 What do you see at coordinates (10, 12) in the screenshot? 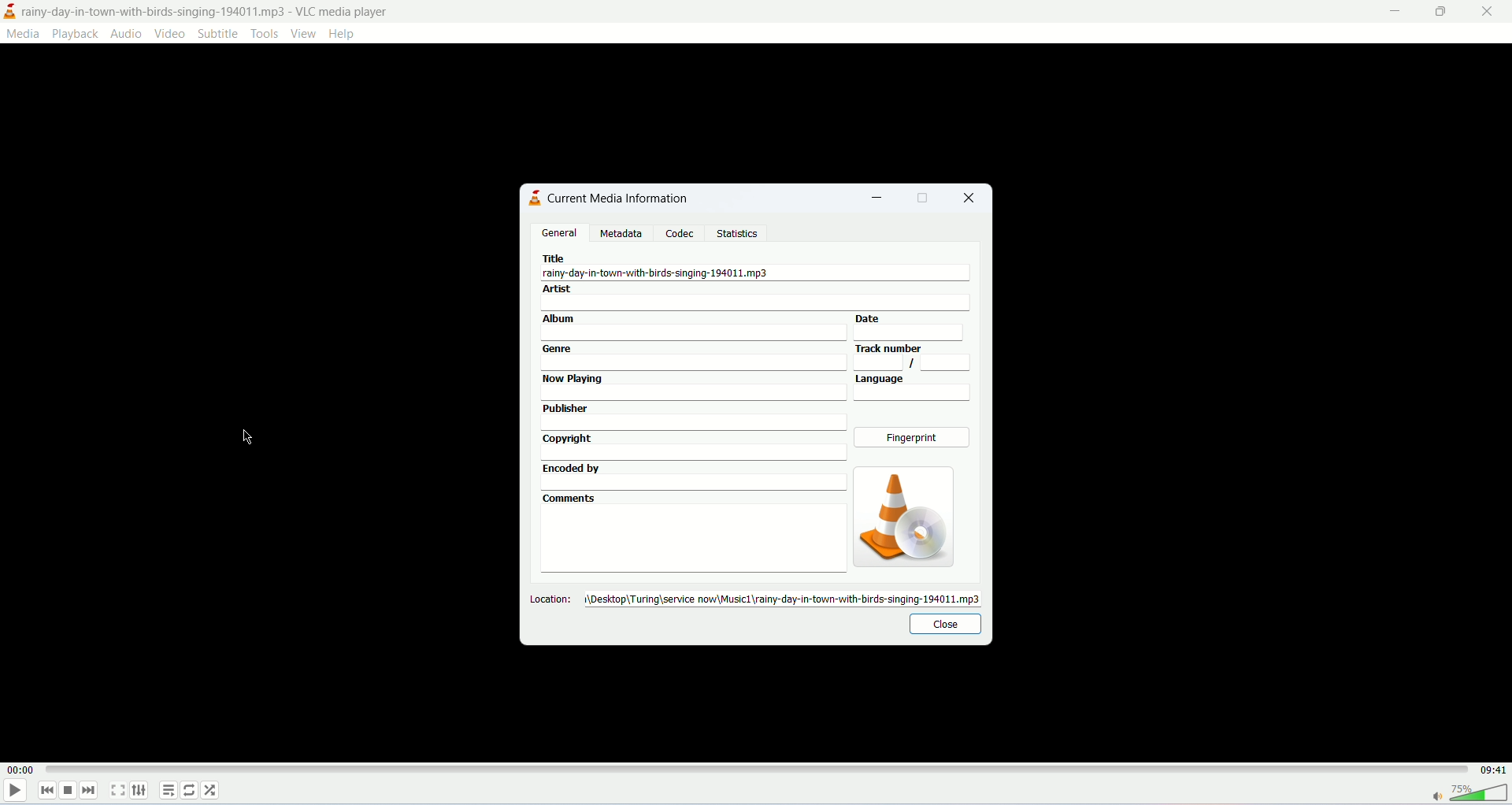
I see `logo` at bounding box center [10, 12].